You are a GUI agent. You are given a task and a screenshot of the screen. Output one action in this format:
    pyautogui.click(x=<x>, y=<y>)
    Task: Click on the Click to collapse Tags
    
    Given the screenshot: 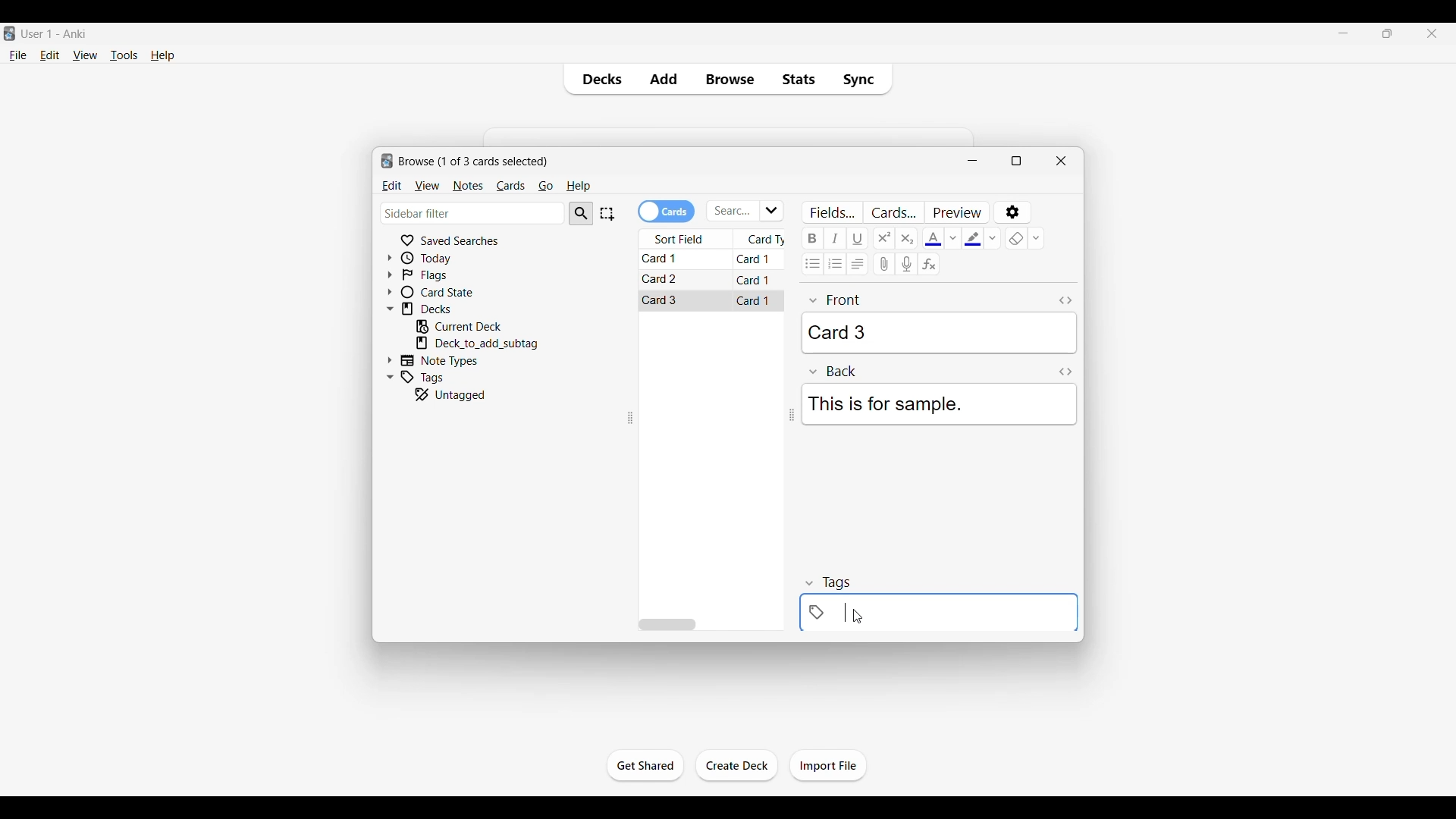 What is the action you would take?
    pyautogui.click(x=390, y=377)
    